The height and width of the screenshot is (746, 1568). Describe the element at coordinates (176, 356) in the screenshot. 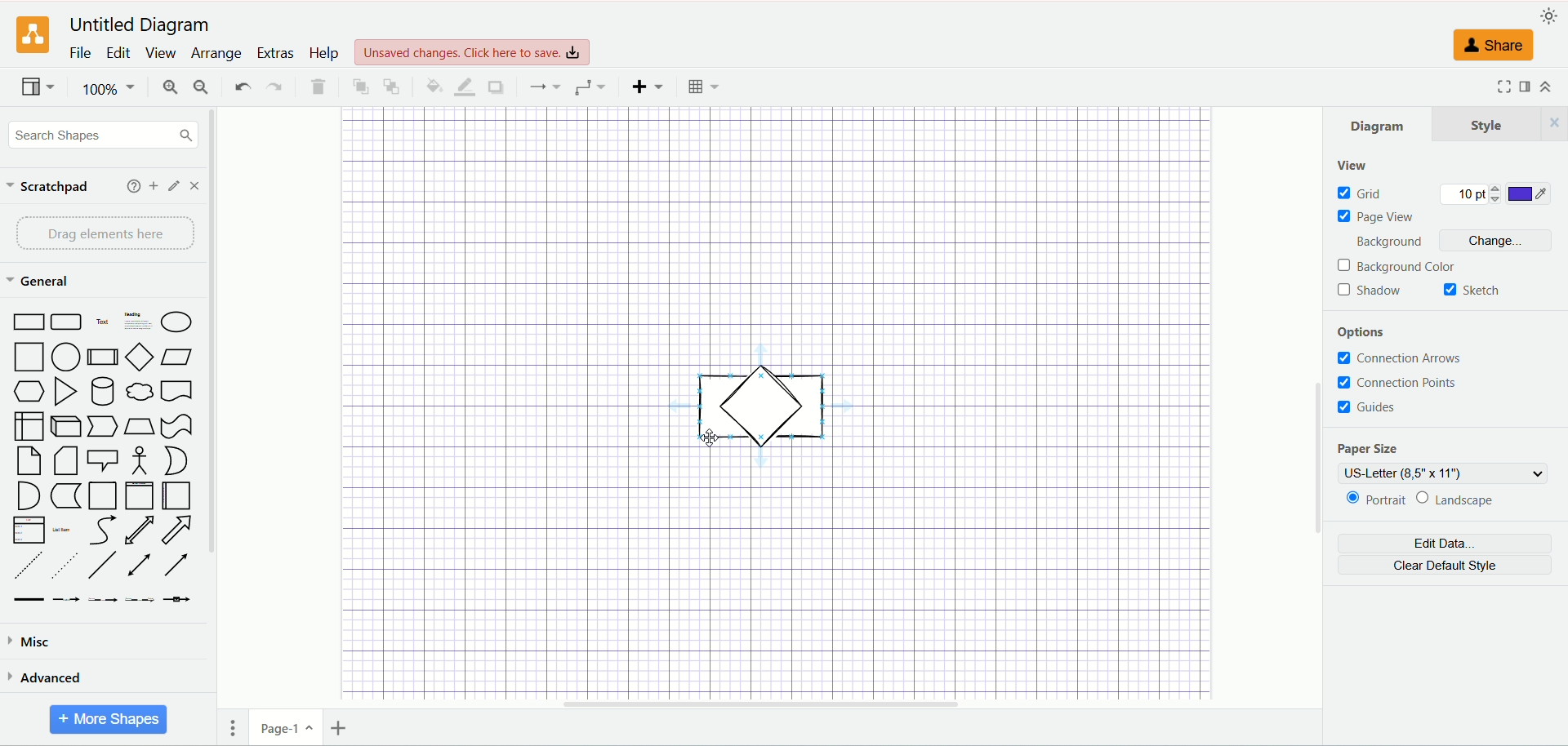

I see `Parallelogram` at that location.